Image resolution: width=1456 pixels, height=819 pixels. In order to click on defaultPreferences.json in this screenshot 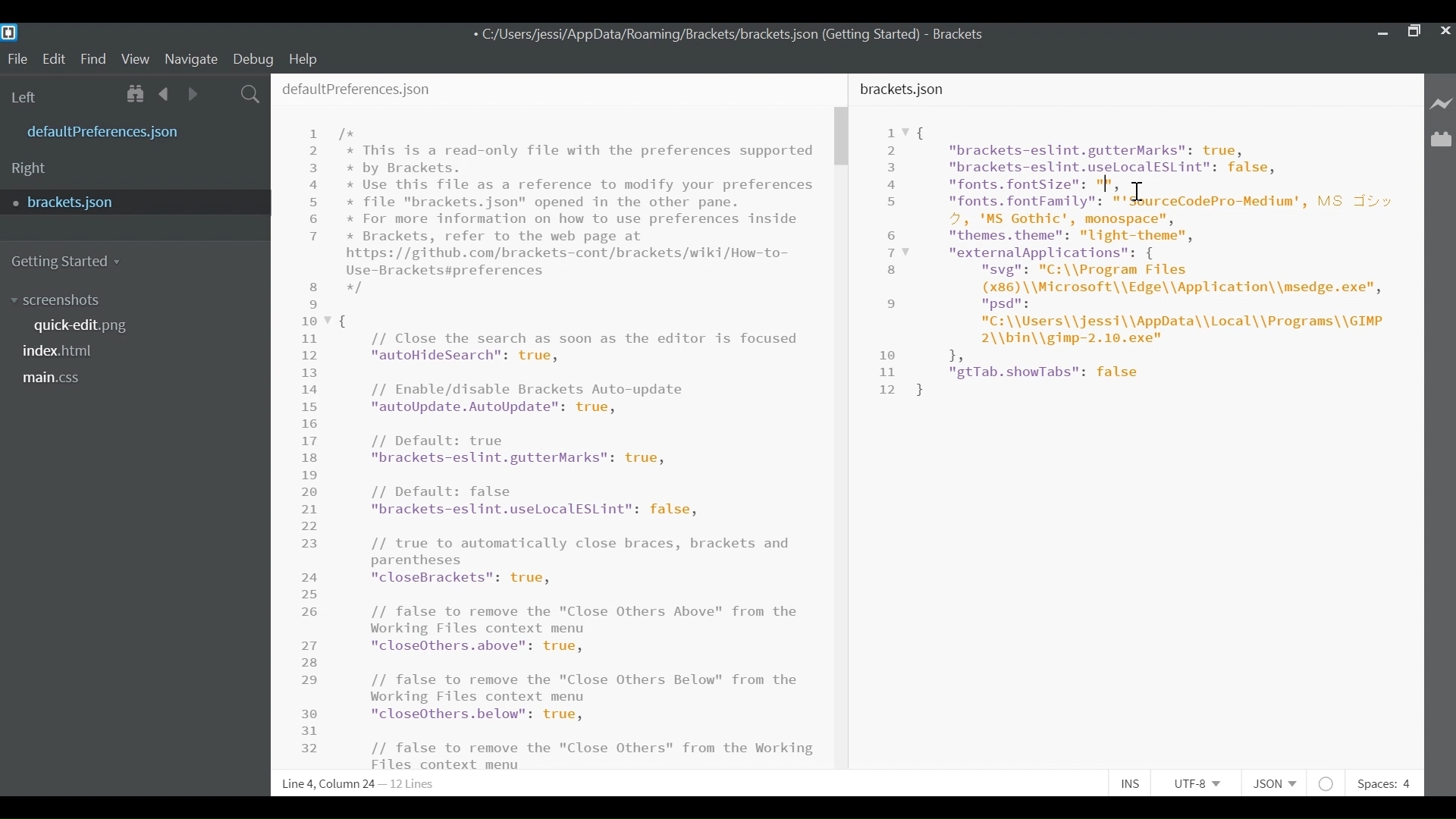, I will do `click(358, 89)`.